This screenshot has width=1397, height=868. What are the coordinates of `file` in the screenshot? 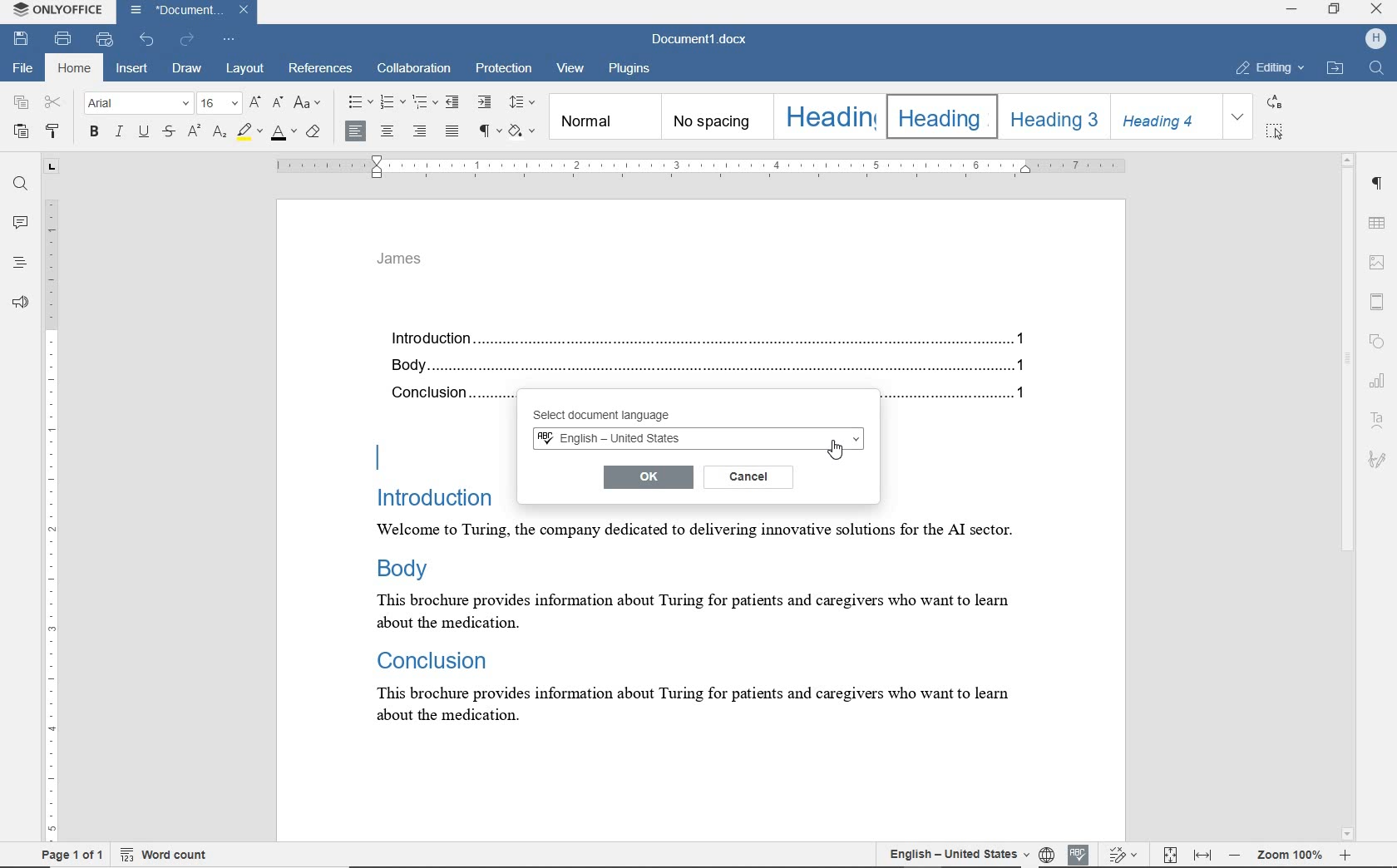 It's located at (21, 69).